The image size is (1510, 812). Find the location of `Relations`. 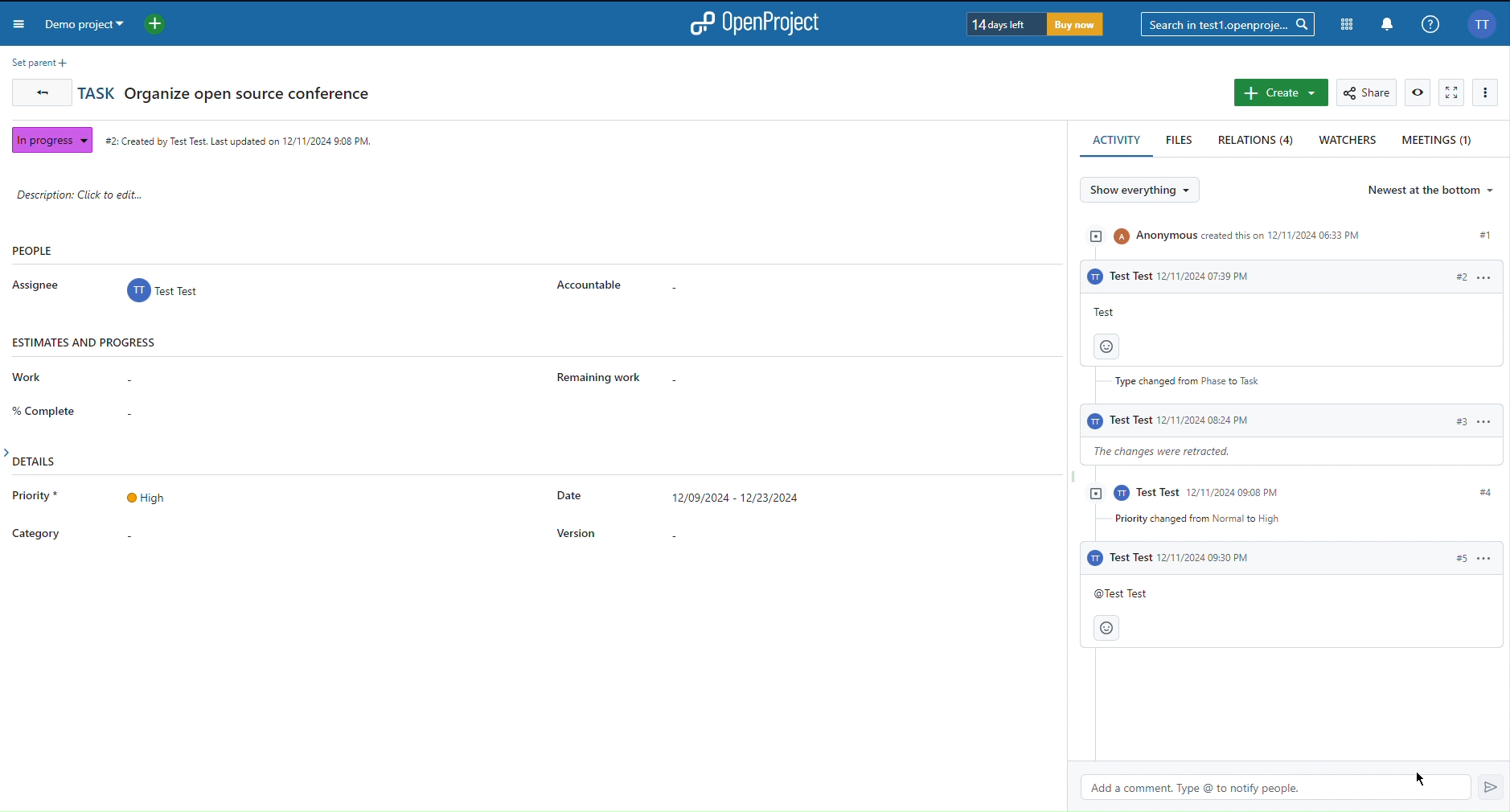

Relations is located at coordinates (1258, 141).